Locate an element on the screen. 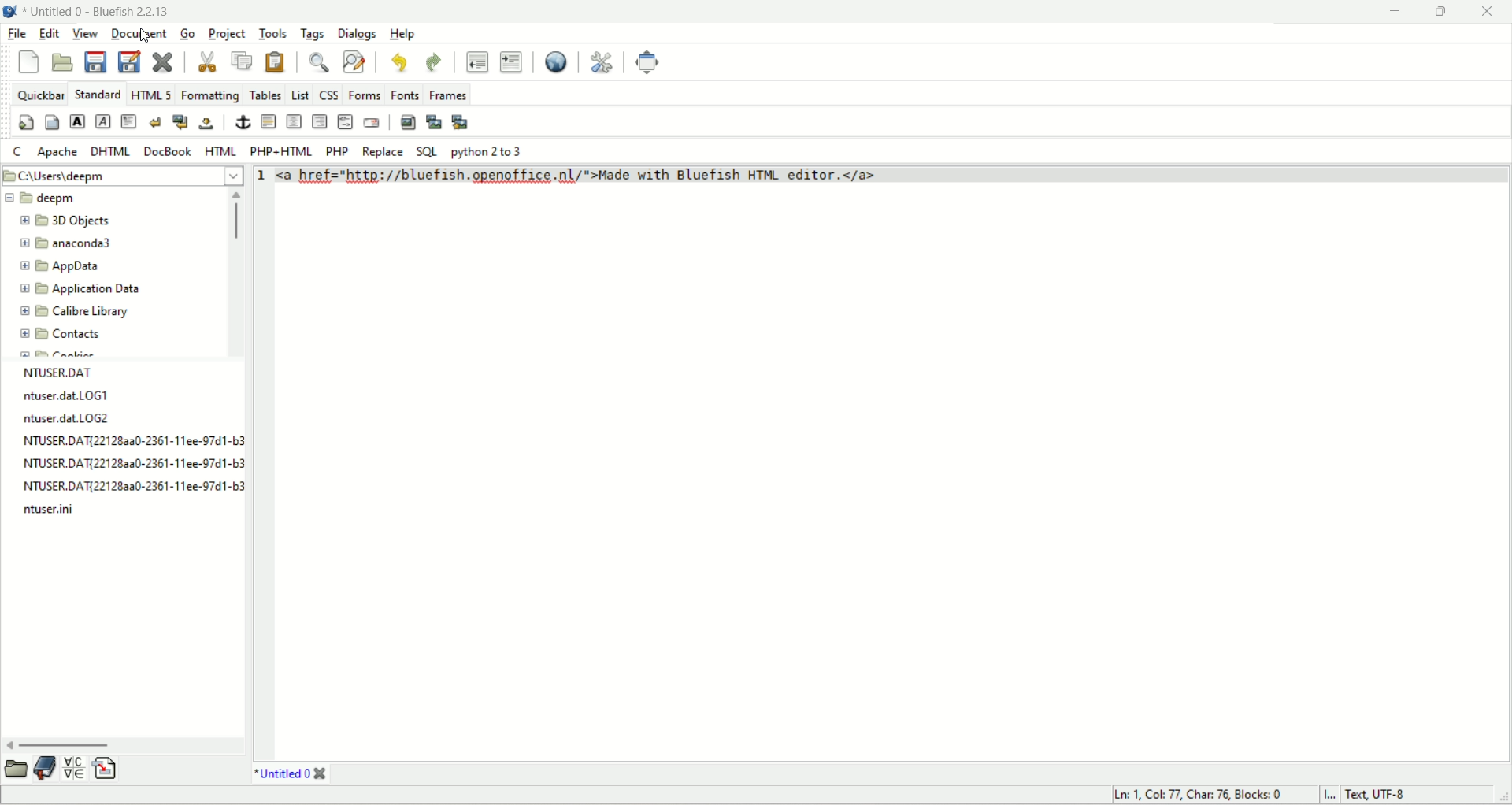 The image size is (1512, 805). tags is located at coordinates (313, 34).